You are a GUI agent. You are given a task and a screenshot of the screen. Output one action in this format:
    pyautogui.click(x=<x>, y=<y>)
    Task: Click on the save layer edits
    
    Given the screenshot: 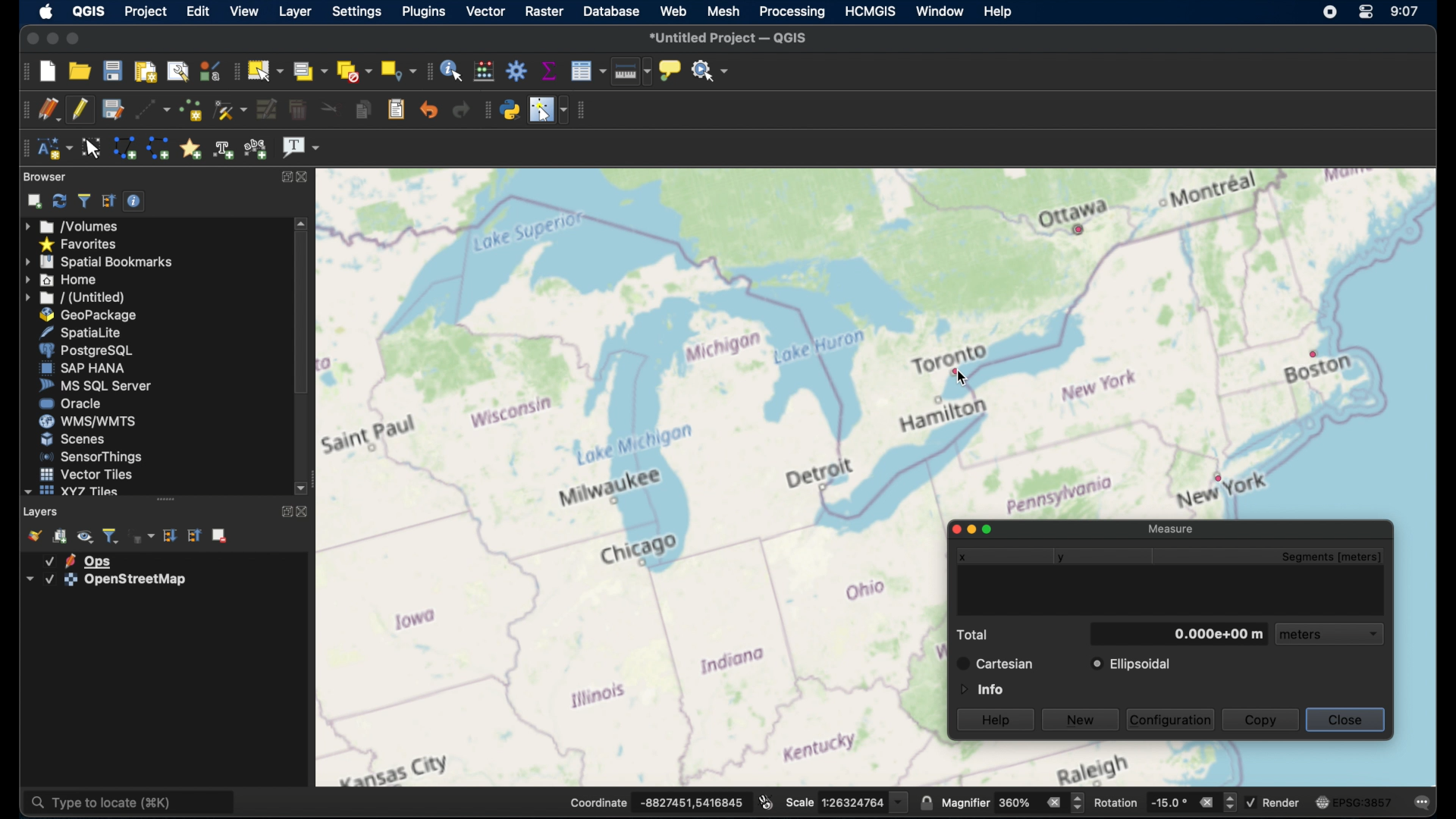 What is the action you would take?
    pyautogui.click(x=111, y=108)
    